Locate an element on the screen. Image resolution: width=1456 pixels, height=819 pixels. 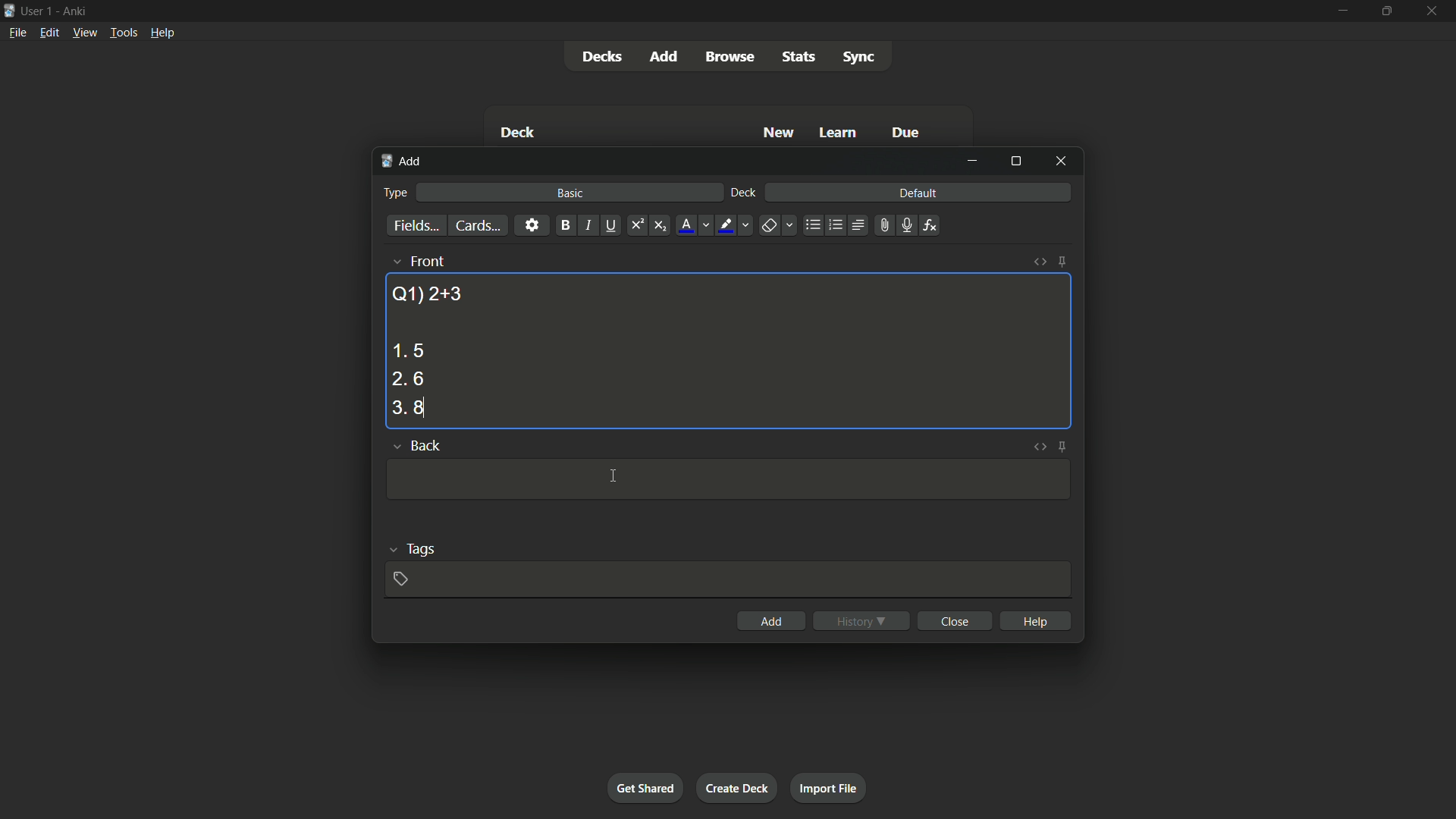
stats is located at coordinates (800, 57).